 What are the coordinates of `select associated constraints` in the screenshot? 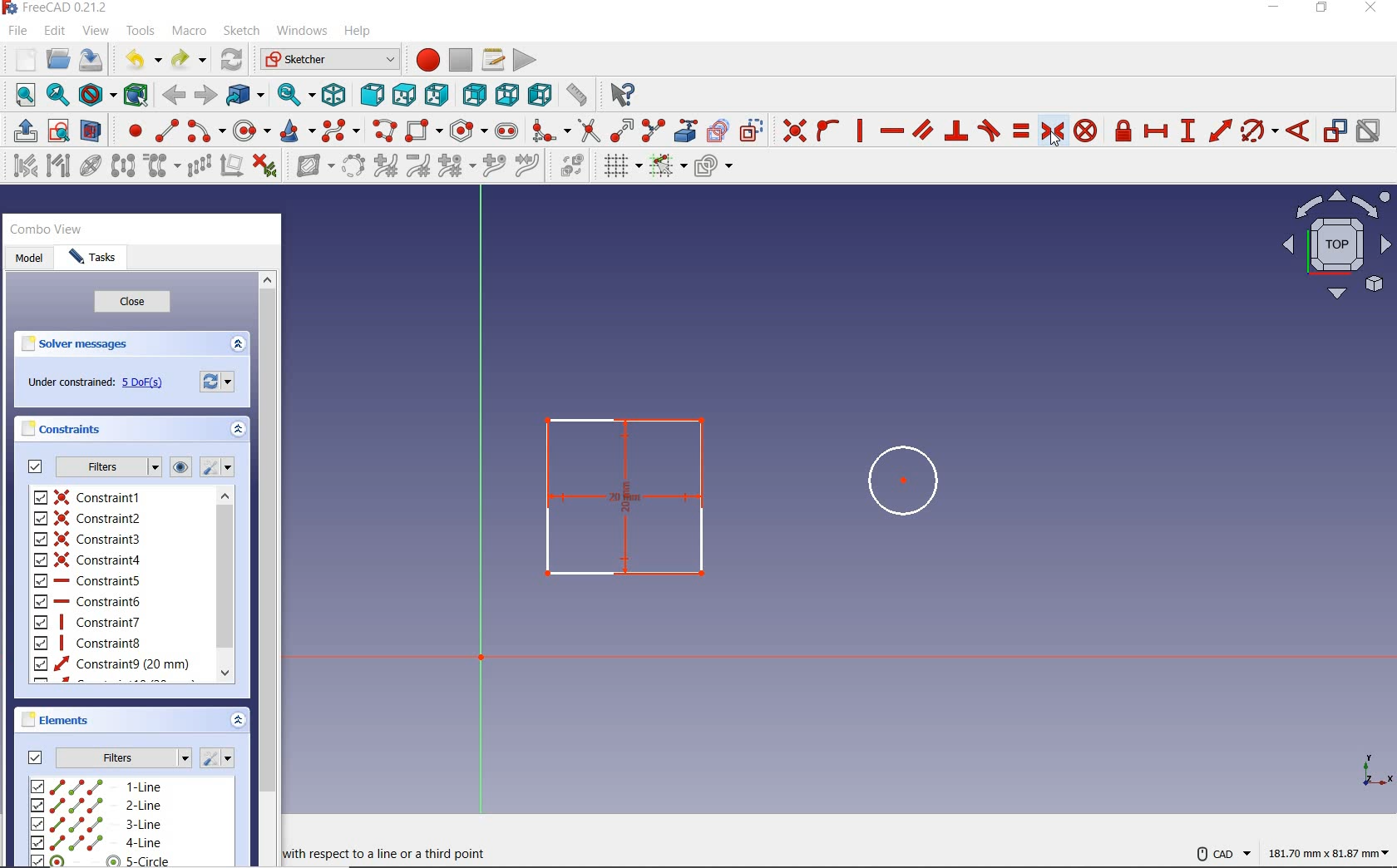 It's located at (22, 166).